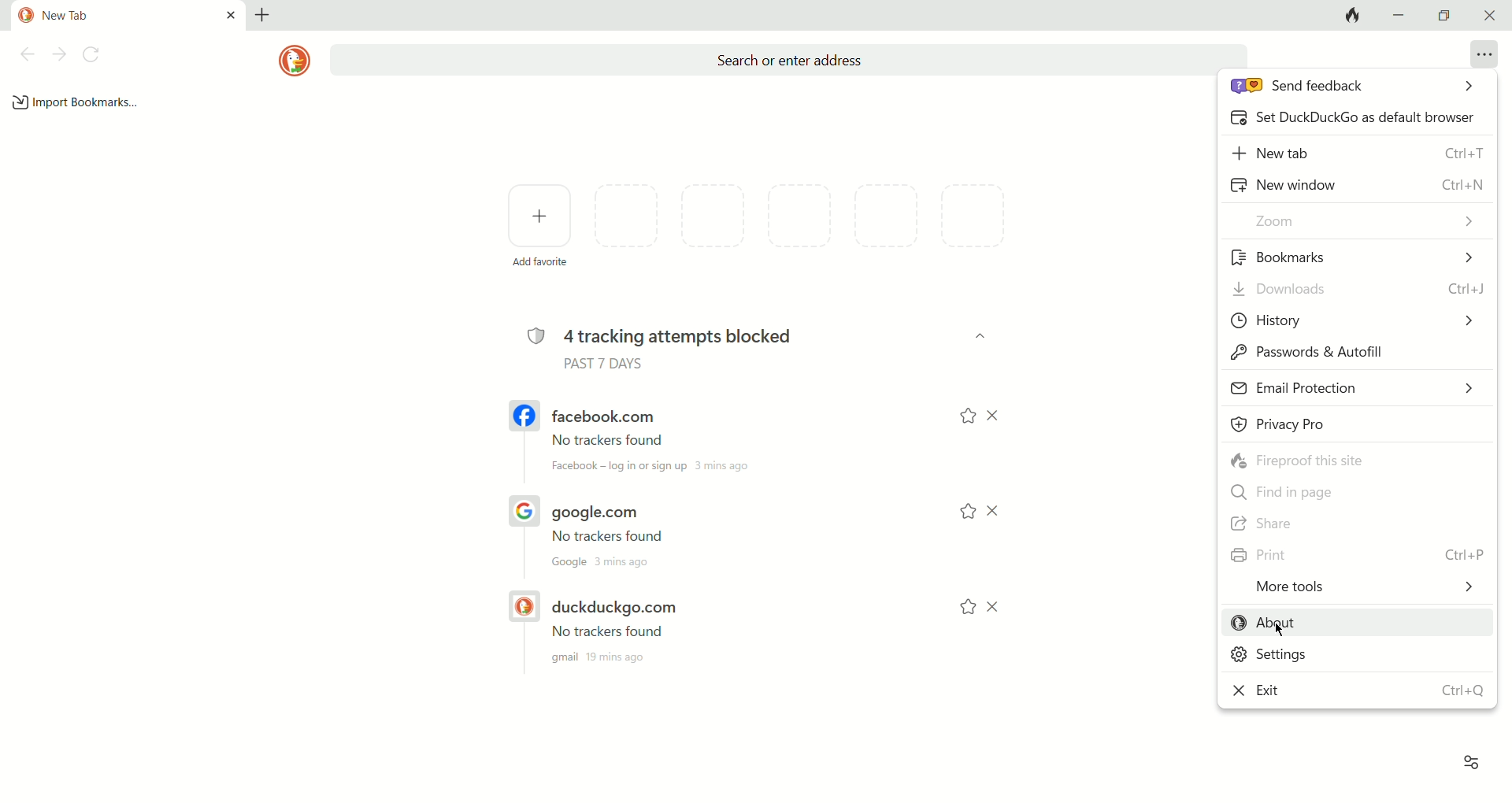 The width and height of the screenshot is (1512, 803). I want to click on next, so click(59, 54).